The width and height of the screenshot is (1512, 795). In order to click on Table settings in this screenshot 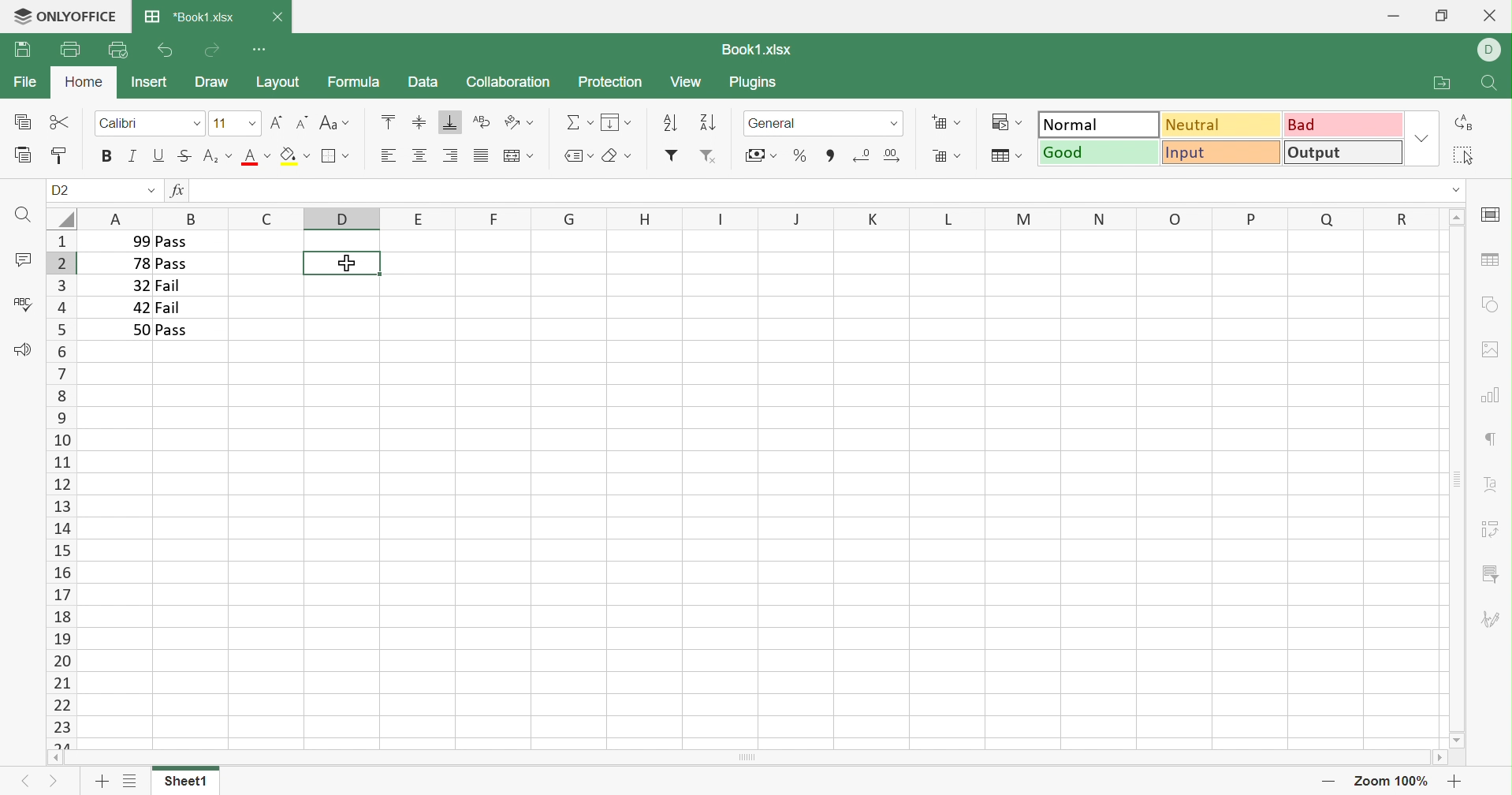, I will do `click(1489, 259)`.